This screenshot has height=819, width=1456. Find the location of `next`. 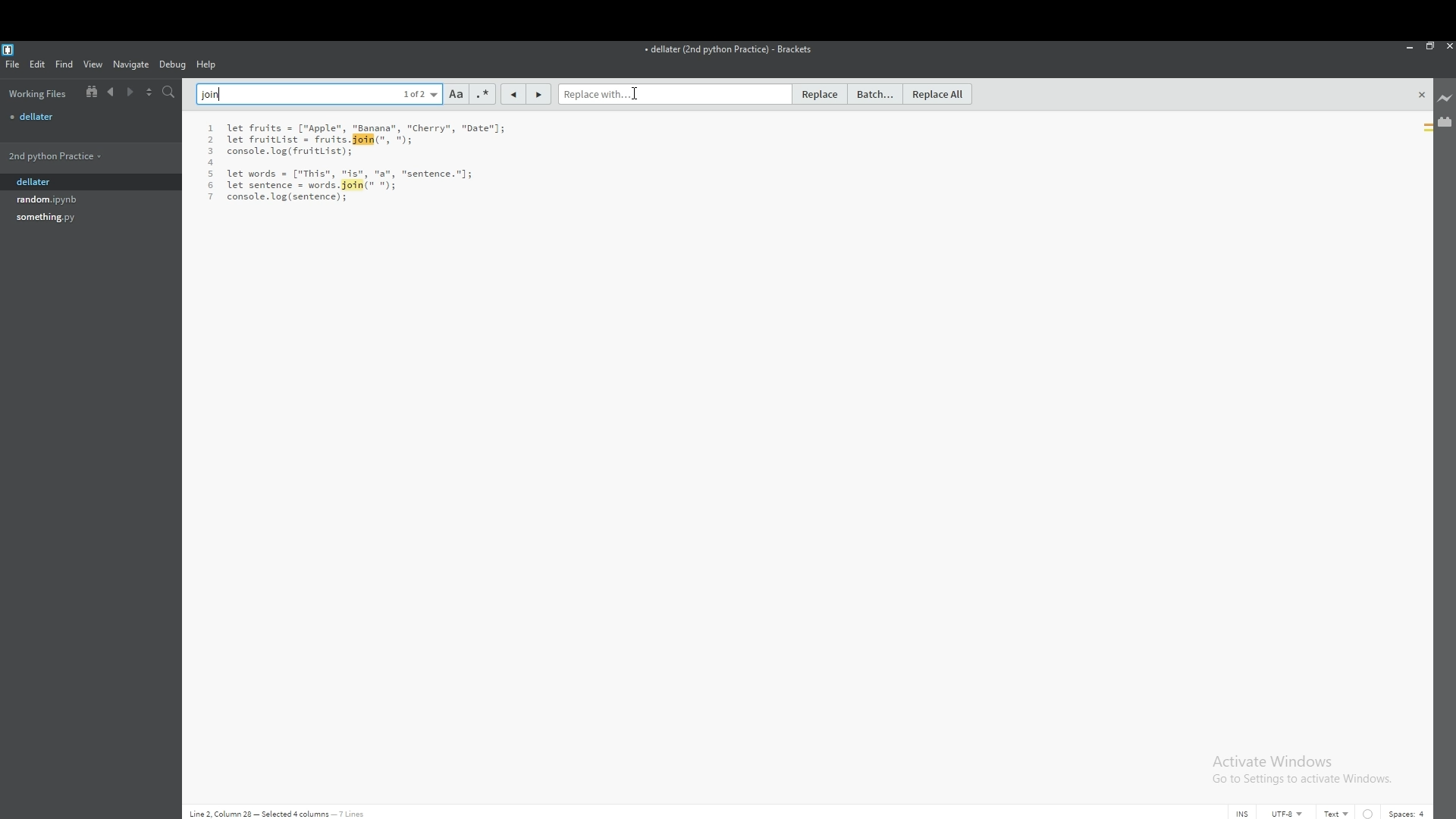

next is located at coordinates (130, 93).